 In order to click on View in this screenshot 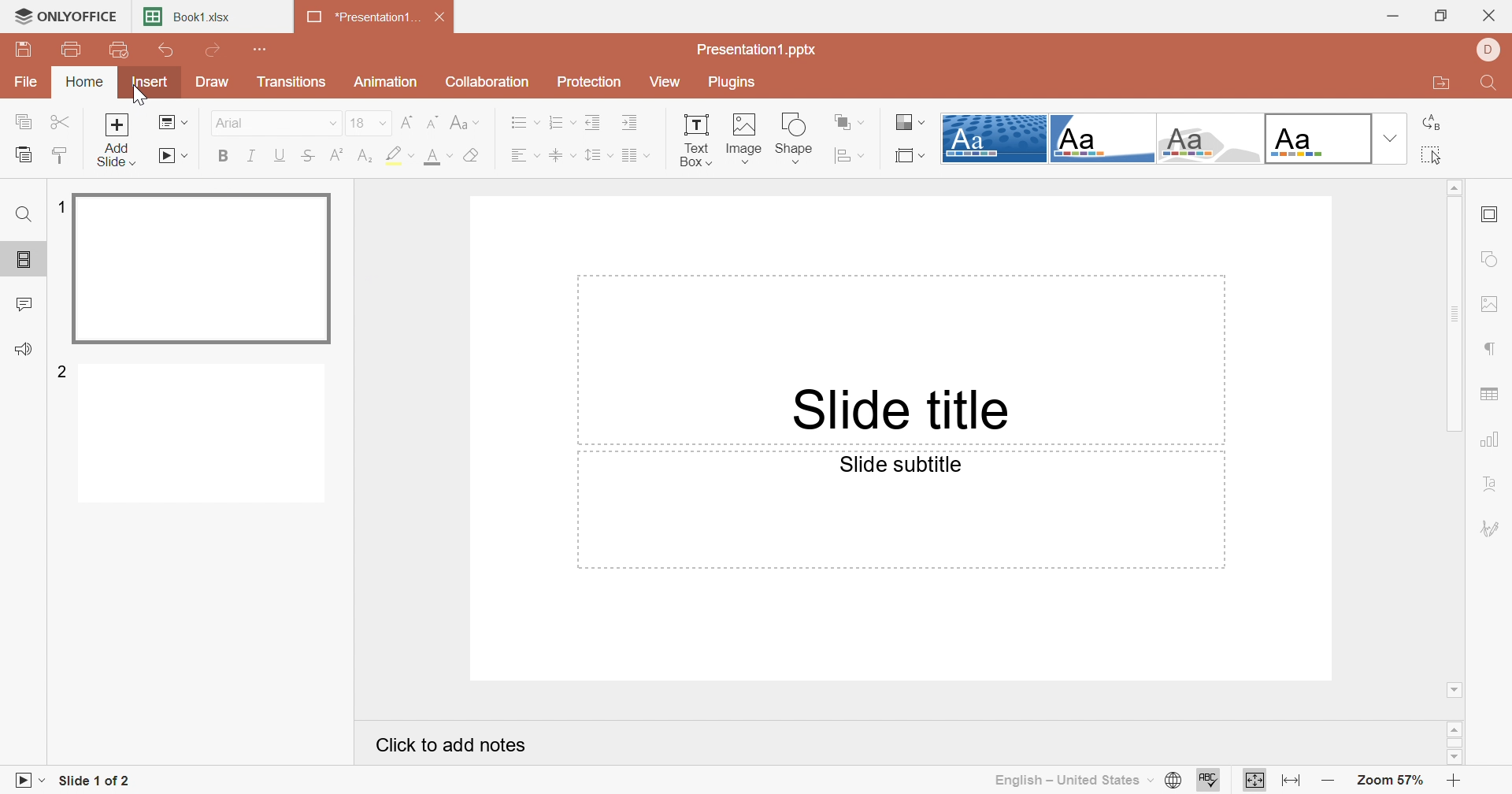, I will do `click(664, 81)`.